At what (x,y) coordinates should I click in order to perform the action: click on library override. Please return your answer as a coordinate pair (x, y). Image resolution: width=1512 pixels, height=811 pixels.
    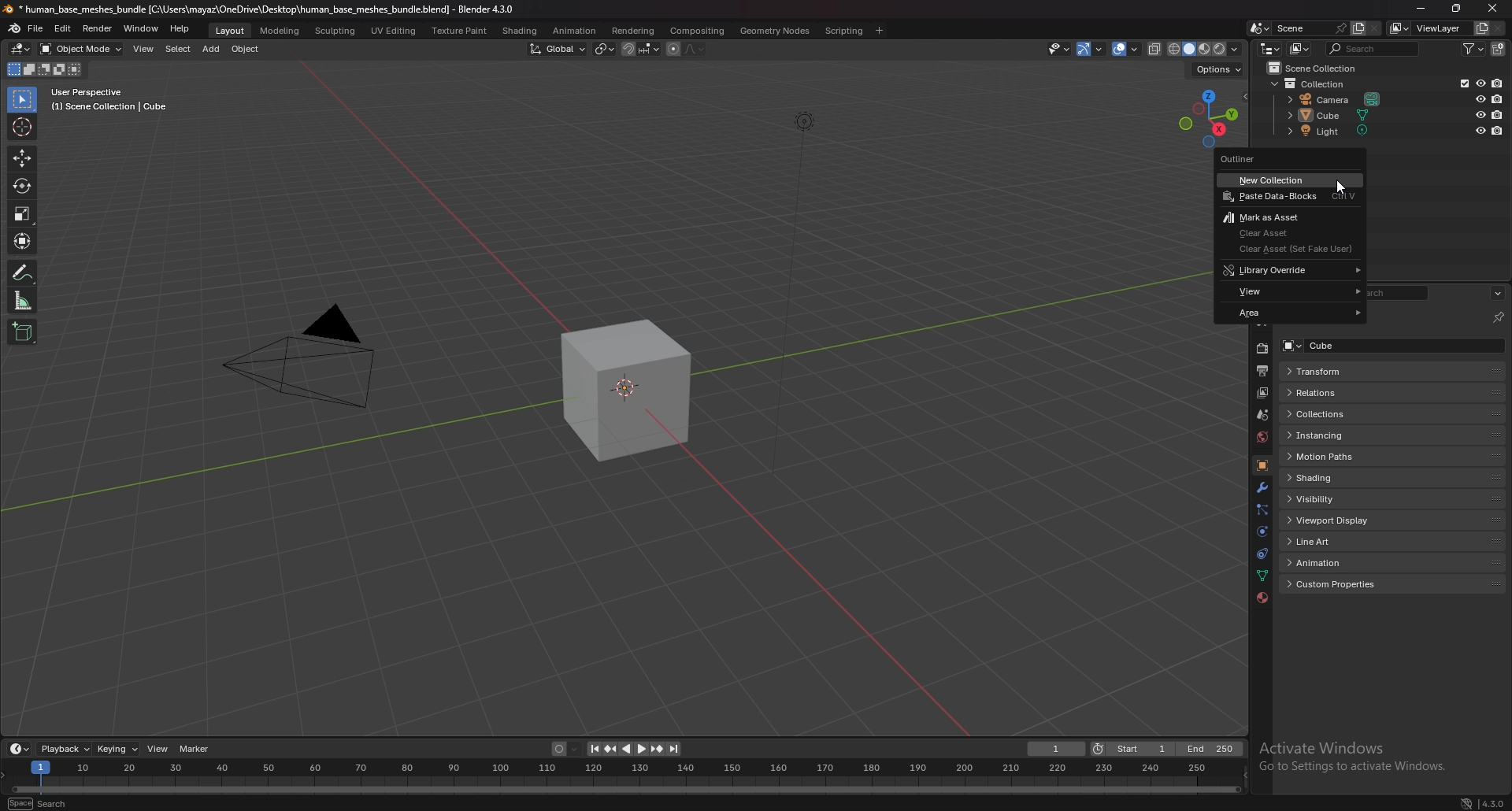
    Looking at the image, I should click on (1291, 270).